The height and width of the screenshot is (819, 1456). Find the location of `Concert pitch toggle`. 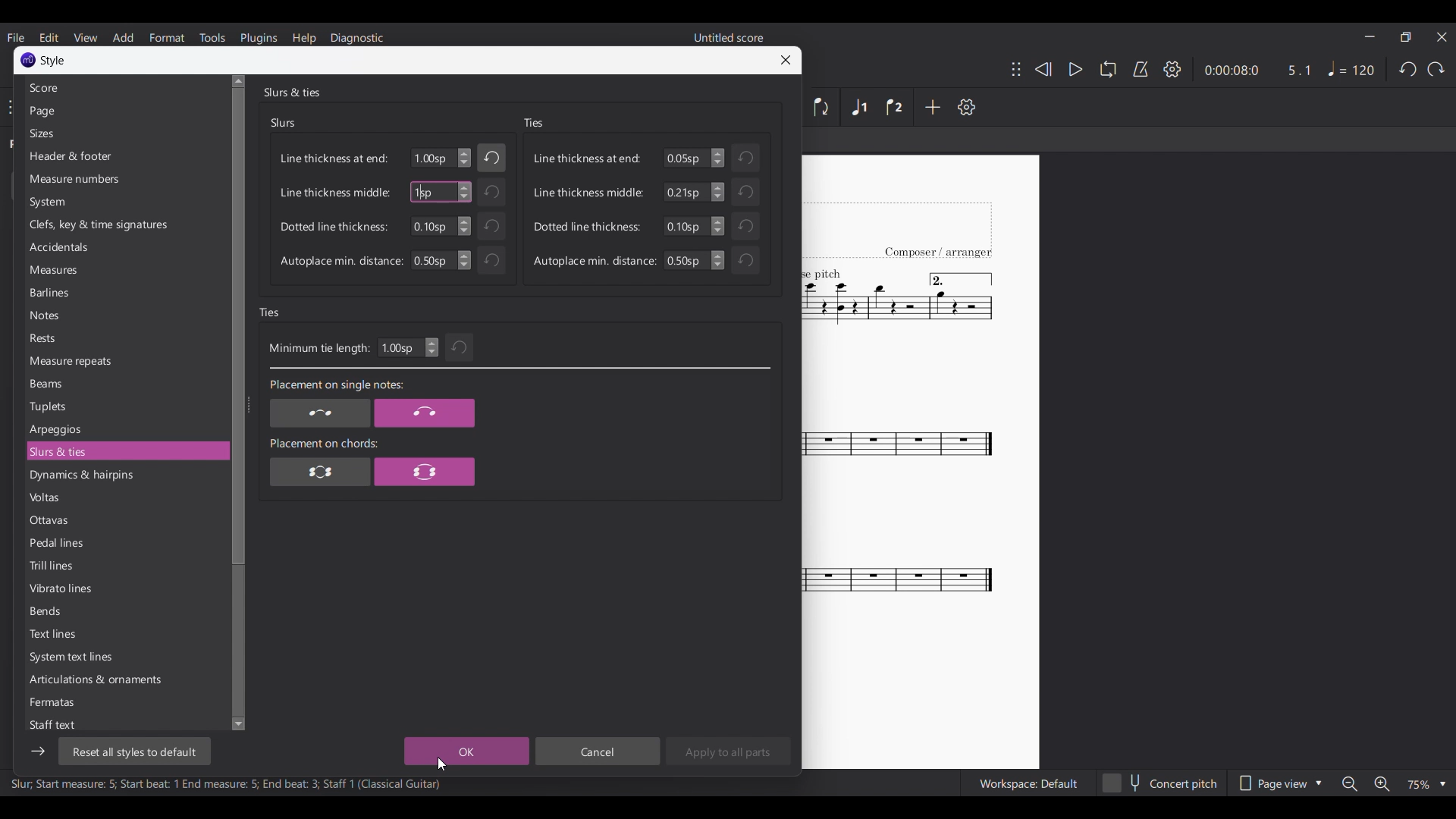

Concert pitch toggle is located at coordinates (1161, 783).